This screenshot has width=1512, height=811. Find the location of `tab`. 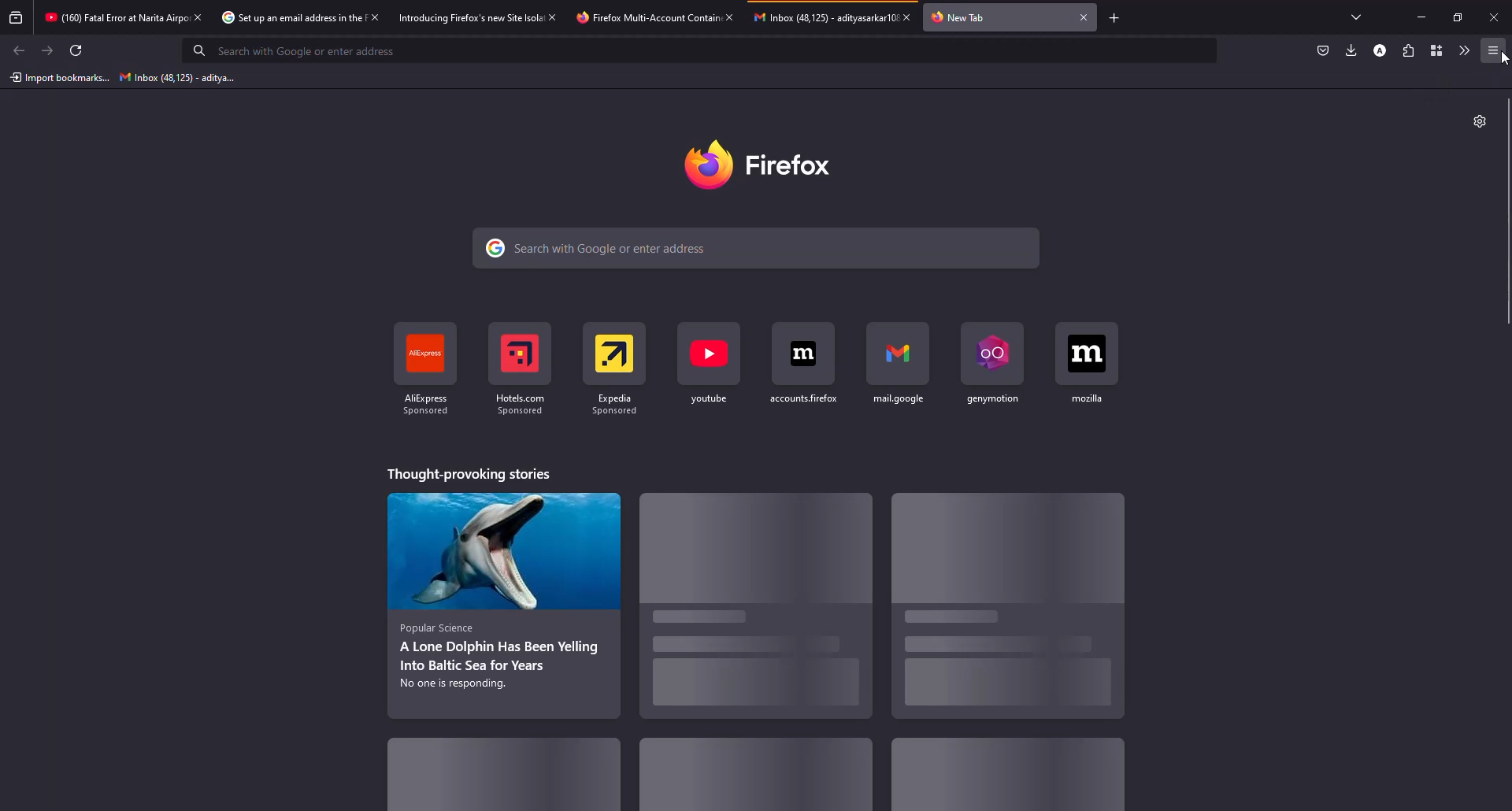

tab is located at coordinates (966, 17).